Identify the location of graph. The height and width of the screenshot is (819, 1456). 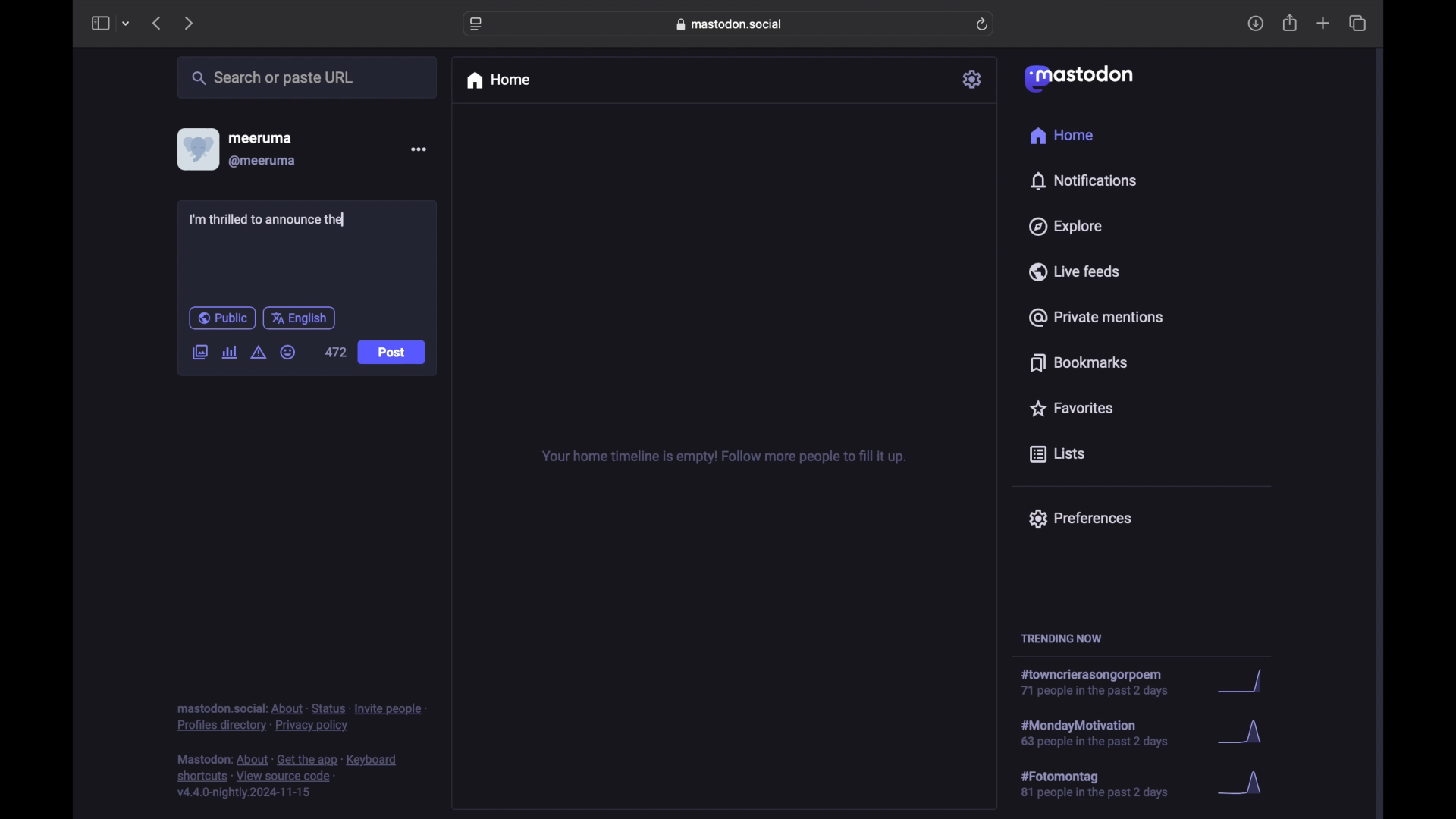
(1245, 784).